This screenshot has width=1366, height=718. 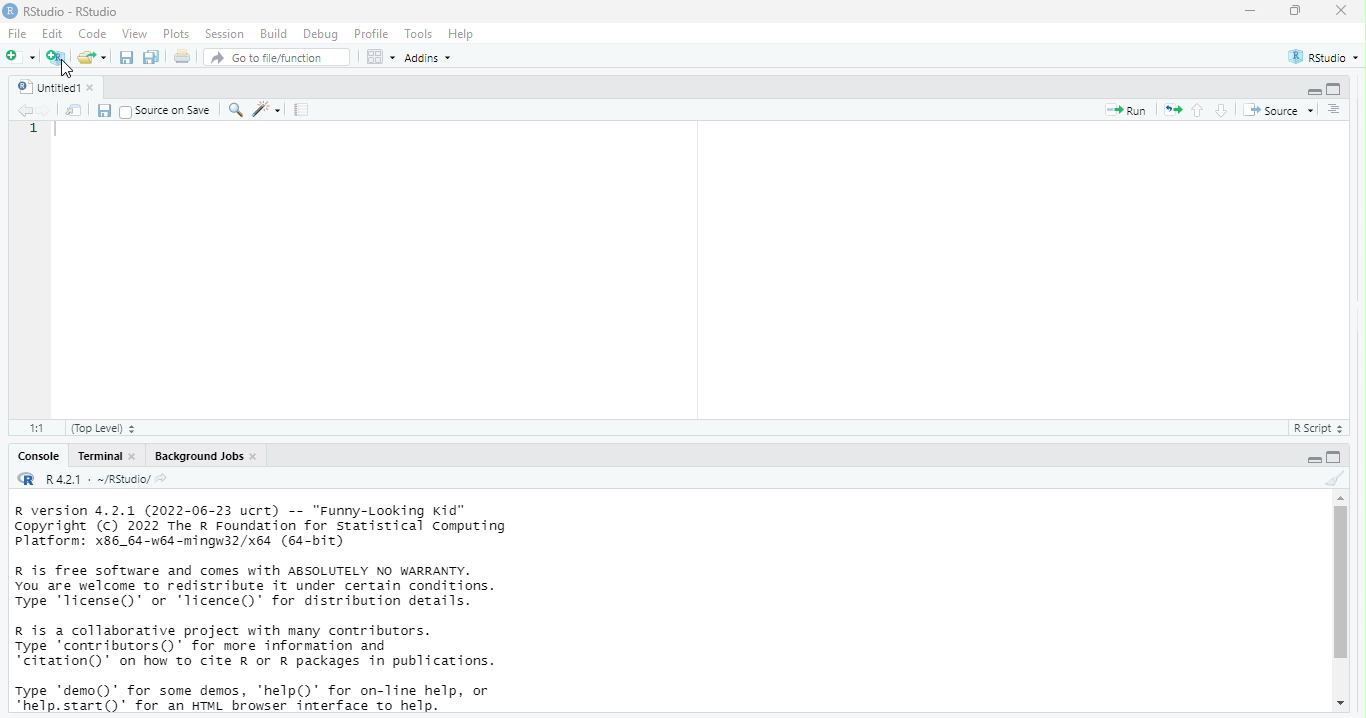 What do you see at coordinates (1251, 11) in the screenshot?
I see `minimize` at bounding box center [1251, 11].